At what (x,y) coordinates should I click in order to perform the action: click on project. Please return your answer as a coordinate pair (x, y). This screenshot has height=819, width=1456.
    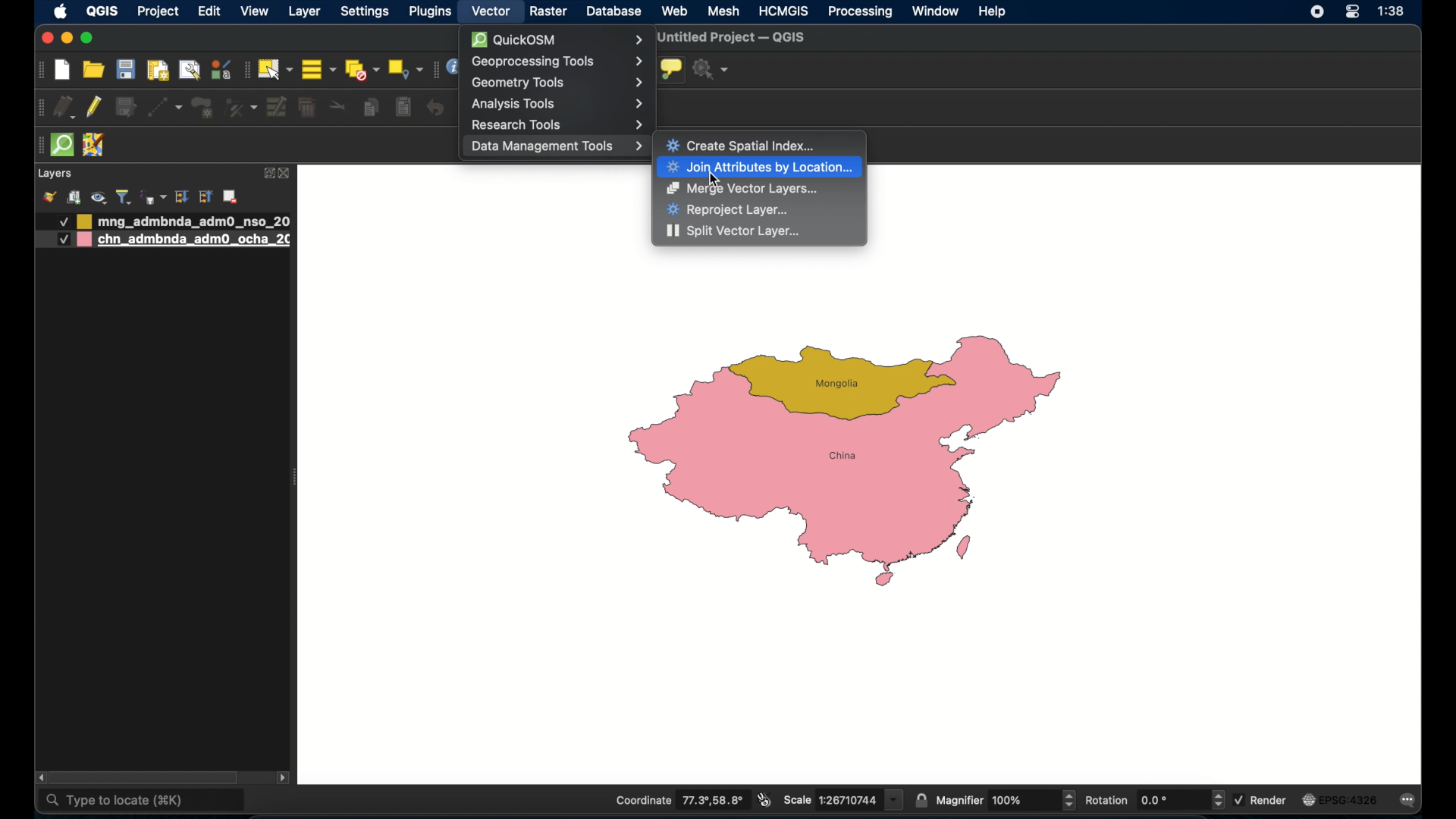
    Looking at the image, I should click on (156, 13).